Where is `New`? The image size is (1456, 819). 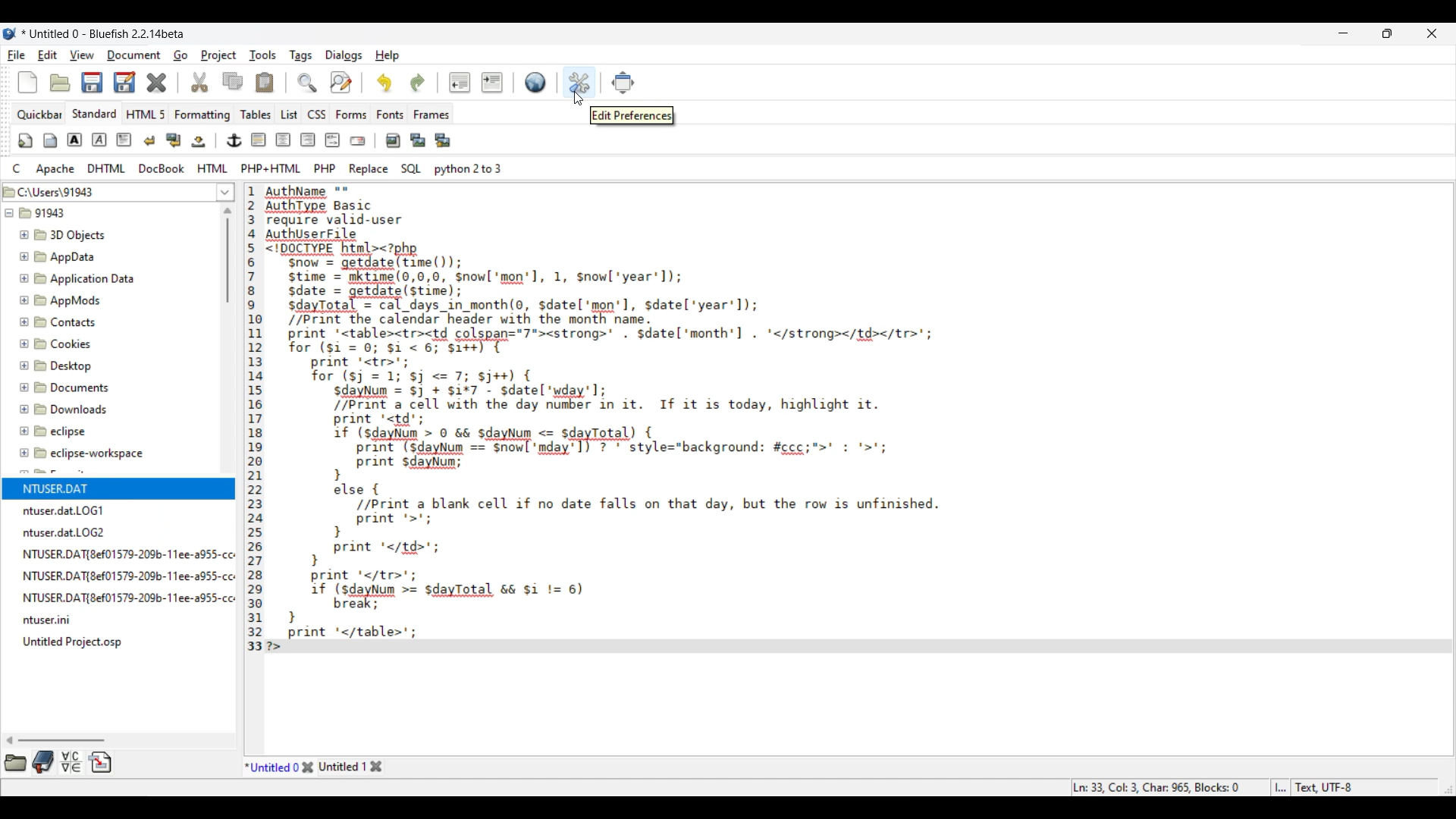
New is located at coordinates (27, 82).